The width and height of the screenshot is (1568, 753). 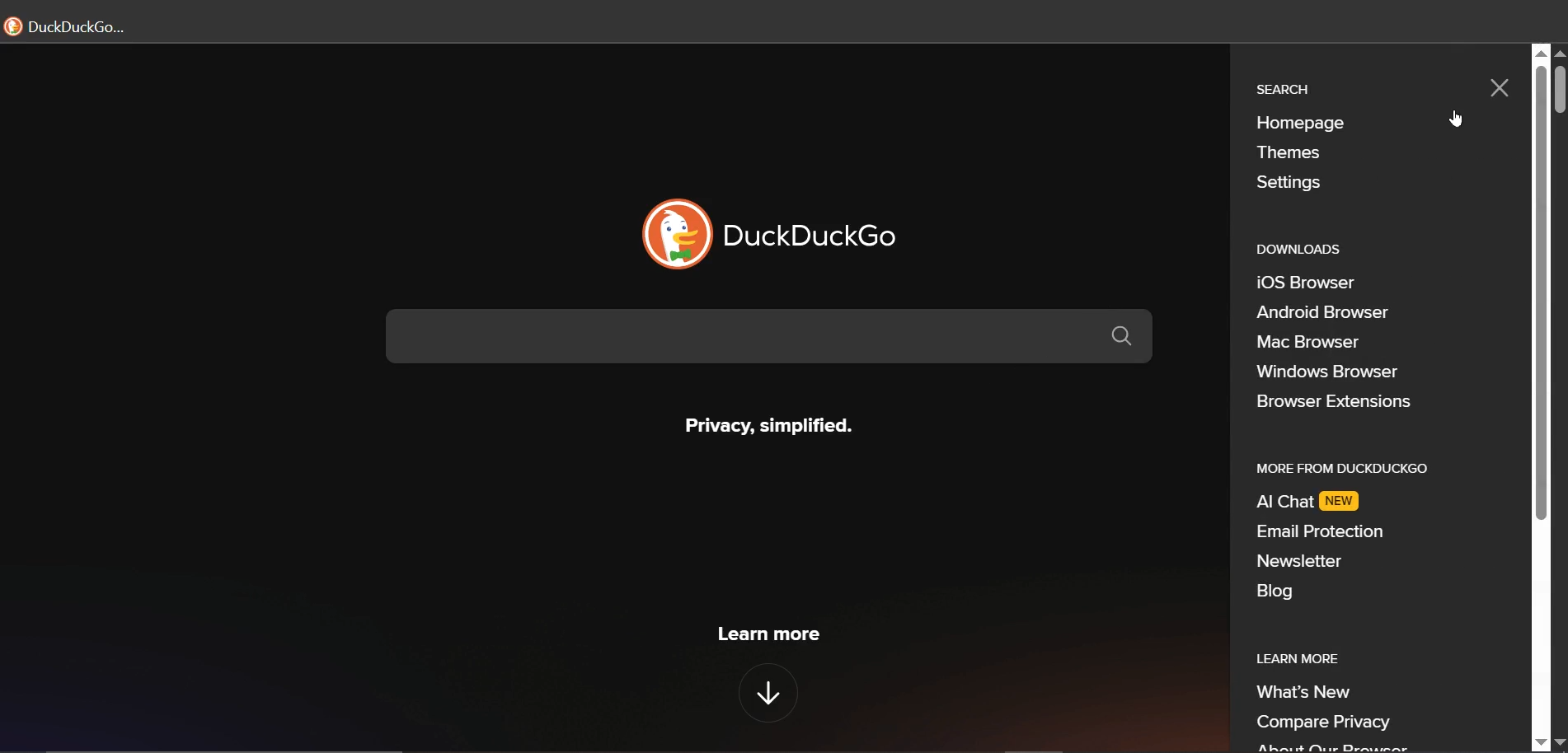 What do you see at coordinates (1295, 250) in the screenshot?
I see `DOWNLOADS` at bounding box center [1295, 250].